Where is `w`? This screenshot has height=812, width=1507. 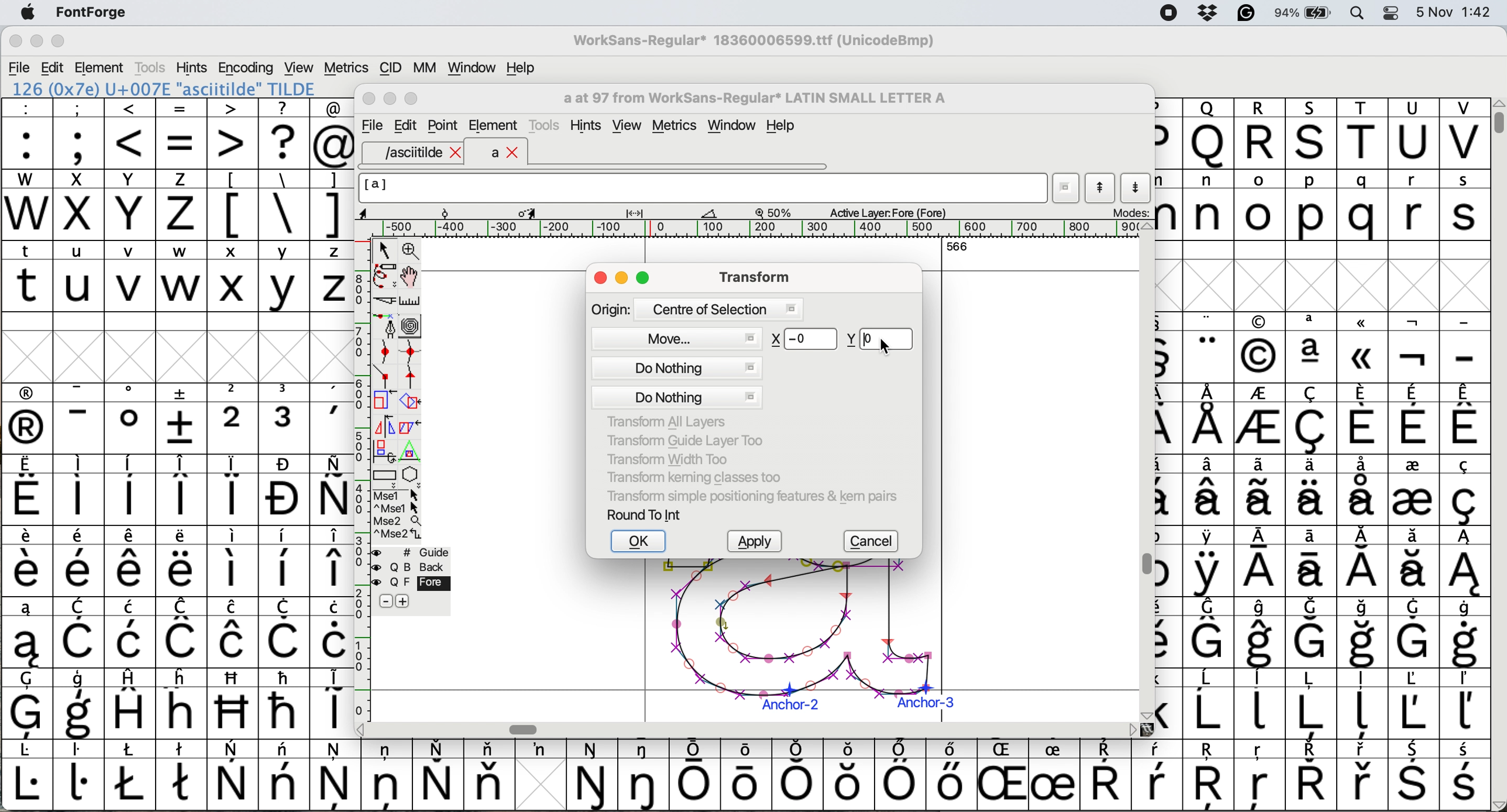 w is located at coordinates (181, 277).